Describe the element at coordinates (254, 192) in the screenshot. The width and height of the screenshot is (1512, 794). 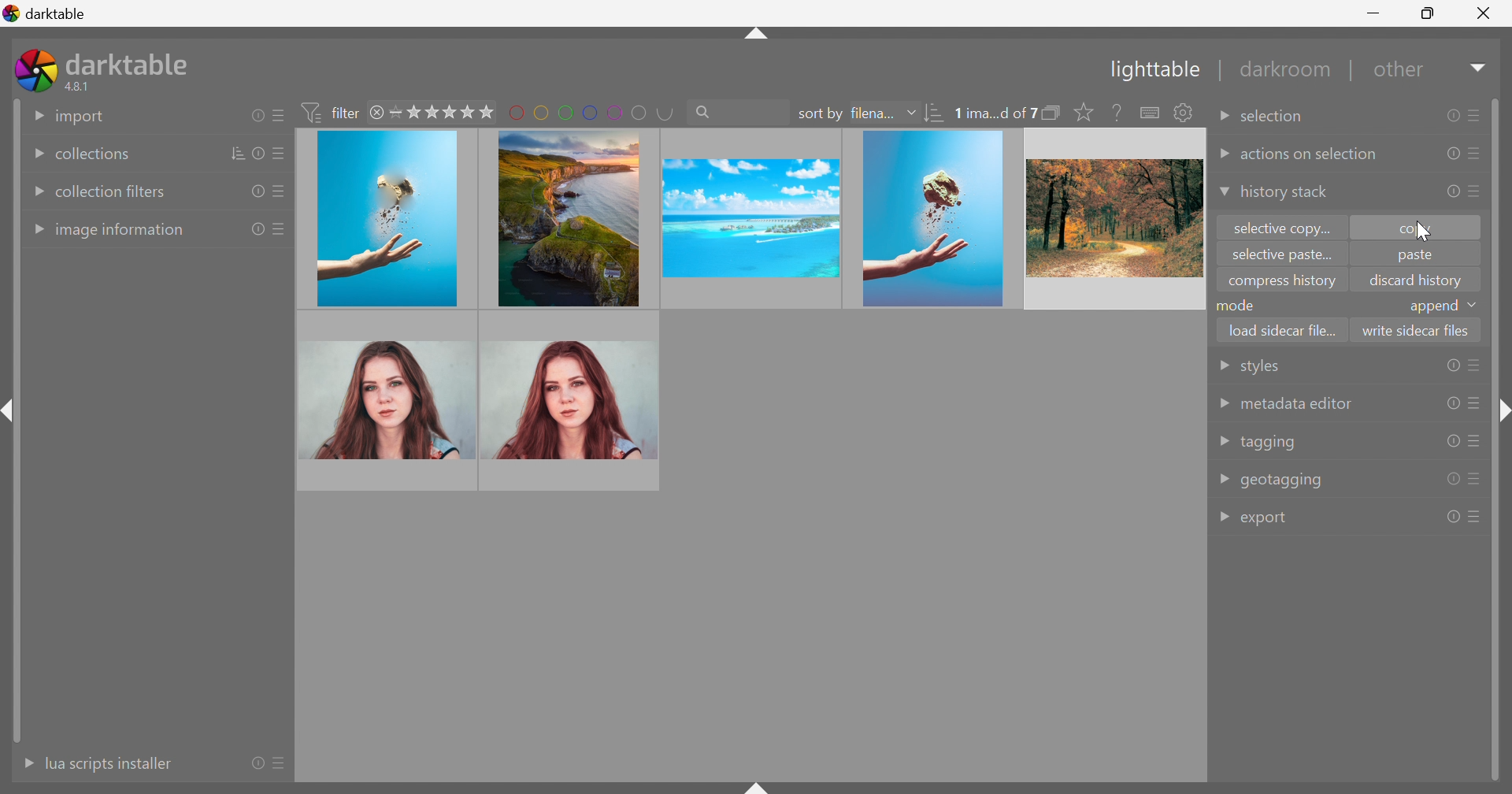
I see `reset` at that location.